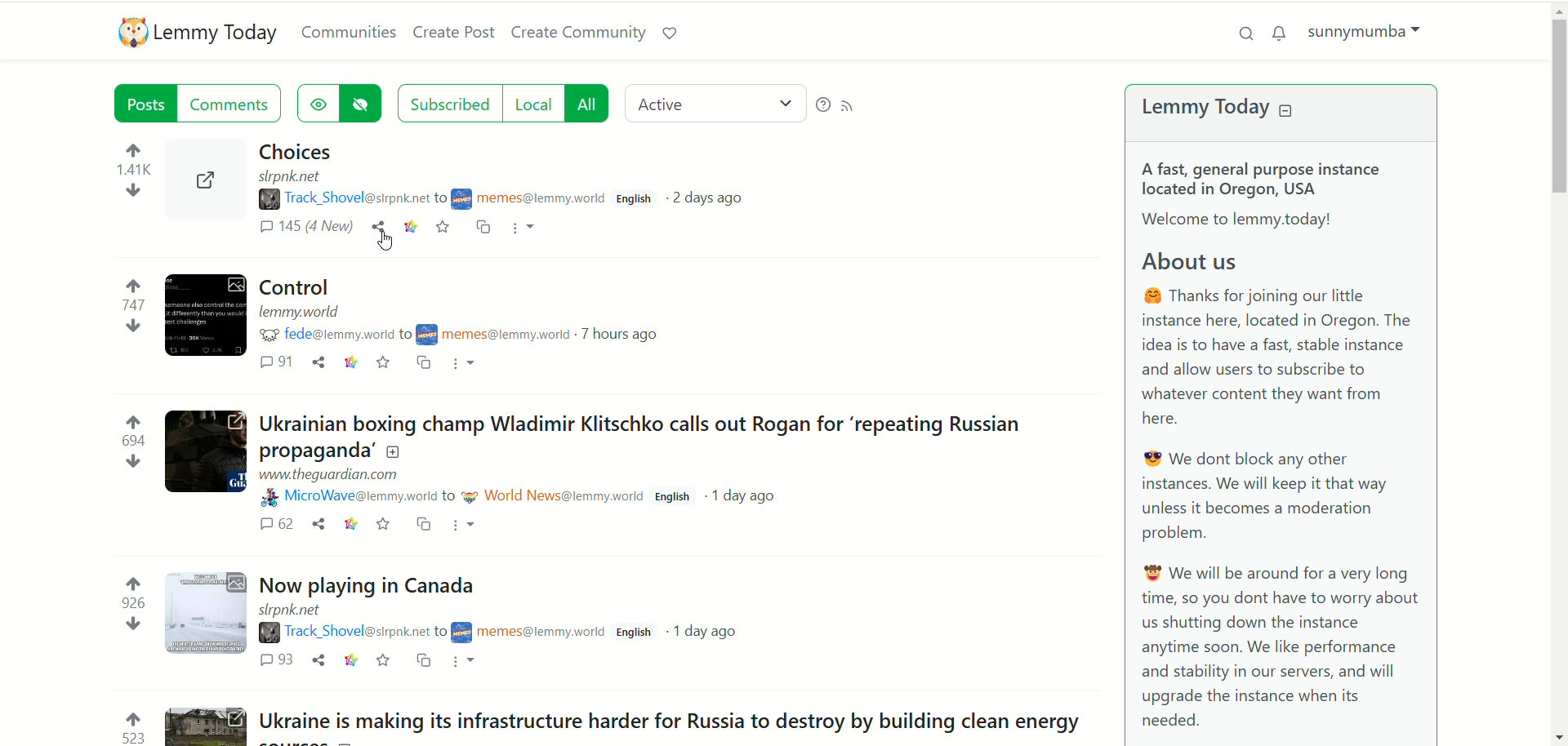  What do you see at coordinates (669, 32) in the screenshot?
I see `support lemmy` at bounding box center [669, 32].